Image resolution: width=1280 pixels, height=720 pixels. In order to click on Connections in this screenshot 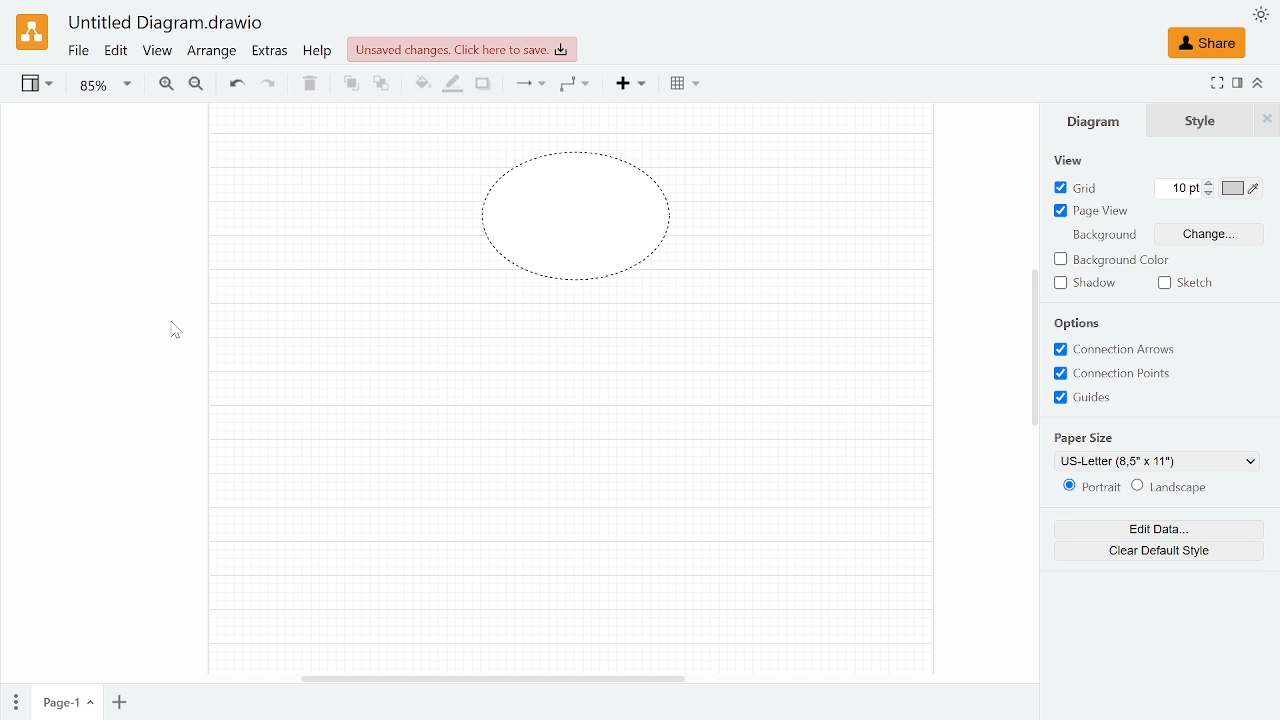, I will do `click(529, 85)`.